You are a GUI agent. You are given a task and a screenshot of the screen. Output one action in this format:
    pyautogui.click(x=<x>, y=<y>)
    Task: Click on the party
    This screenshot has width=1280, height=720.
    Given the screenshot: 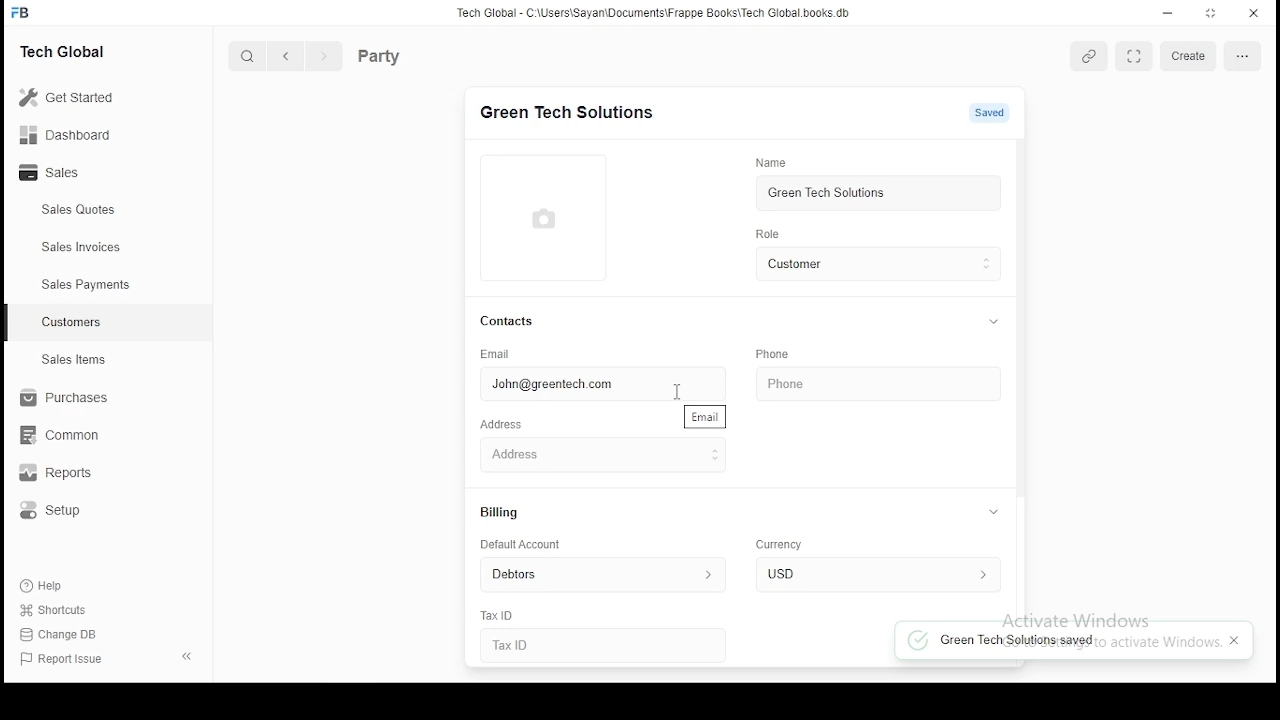 What is the action you would take?
    pyautogui.click(x=411, y=54)
    